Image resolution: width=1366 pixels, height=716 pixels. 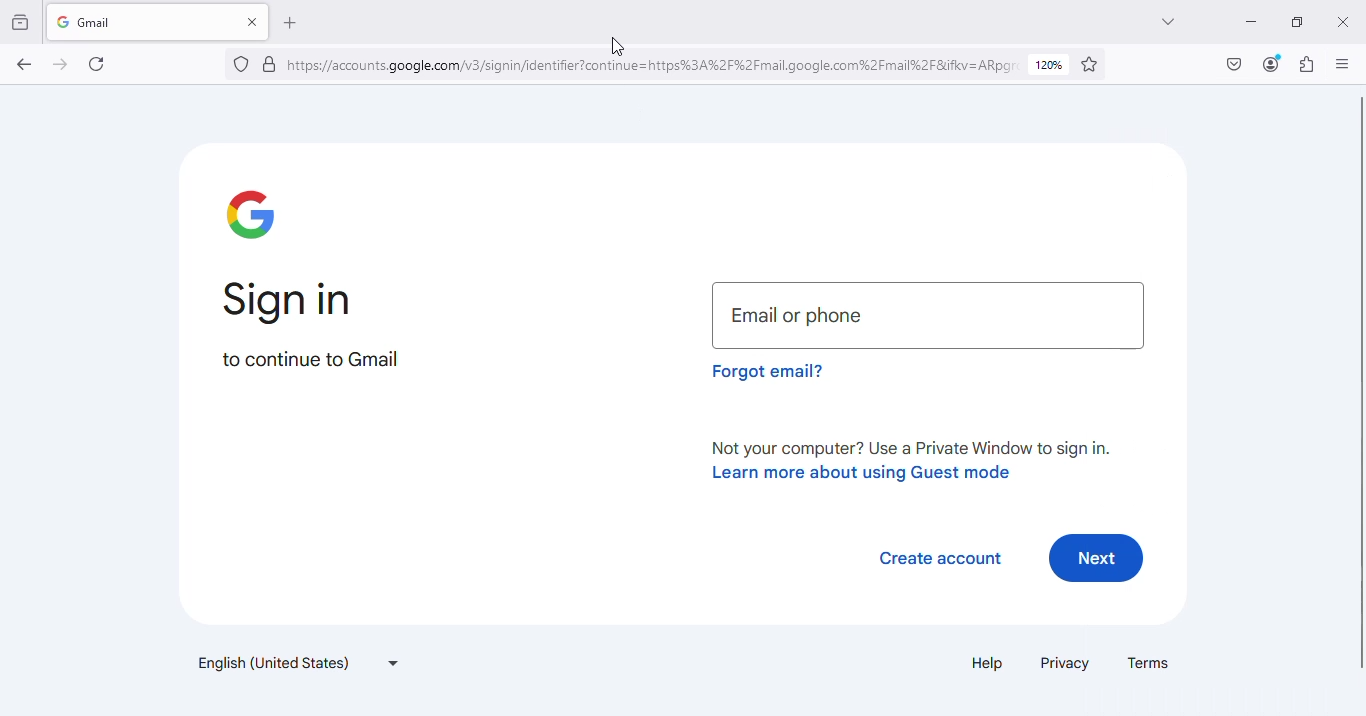 What do you see at coordinates (270, 65) in the screenshot?
I see `verified by: google trust services` at bounding box center [270, 65].